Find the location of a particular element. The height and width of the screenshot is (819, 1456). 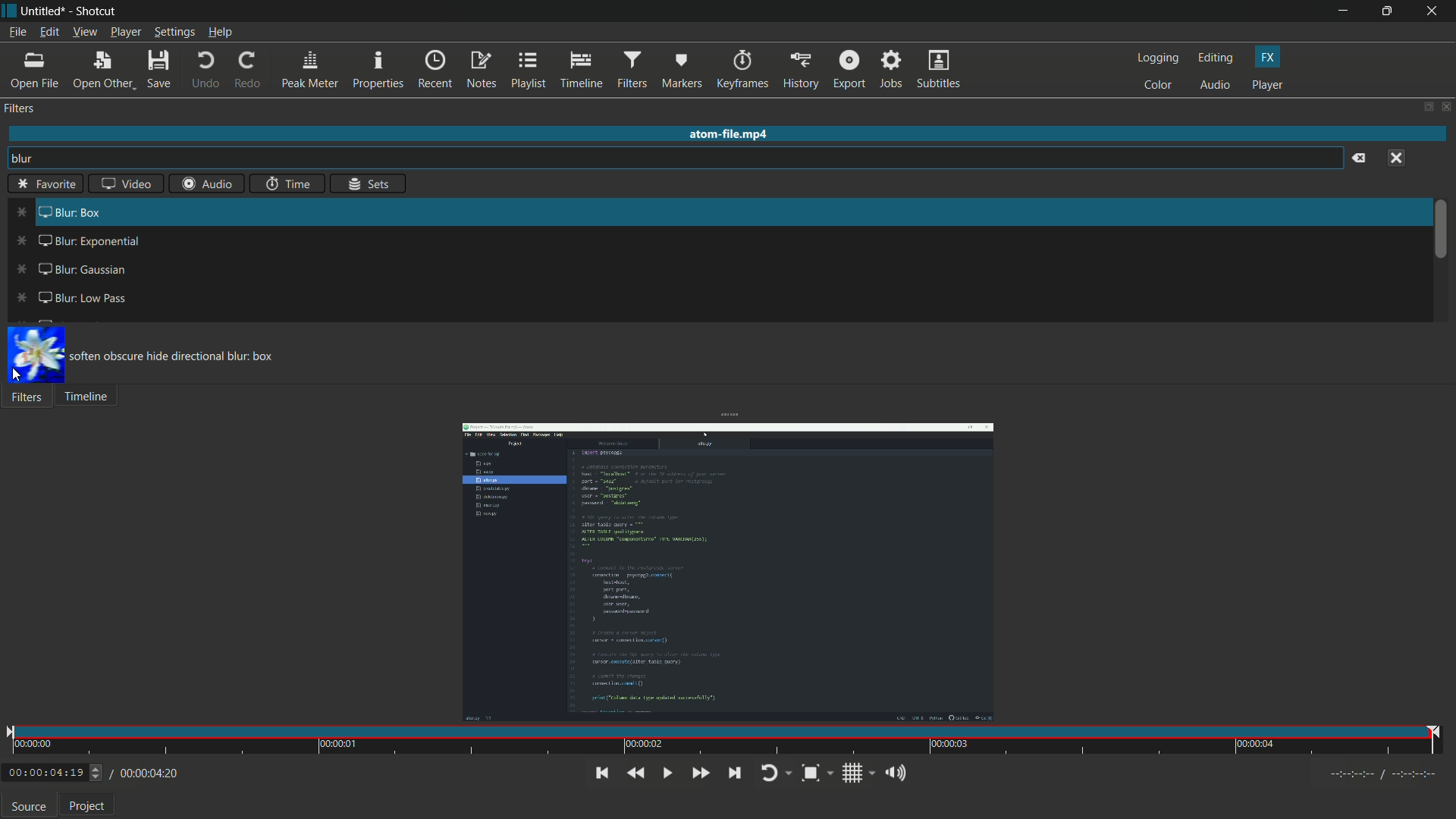

blur (typing) is located at coordinates (33, 160).